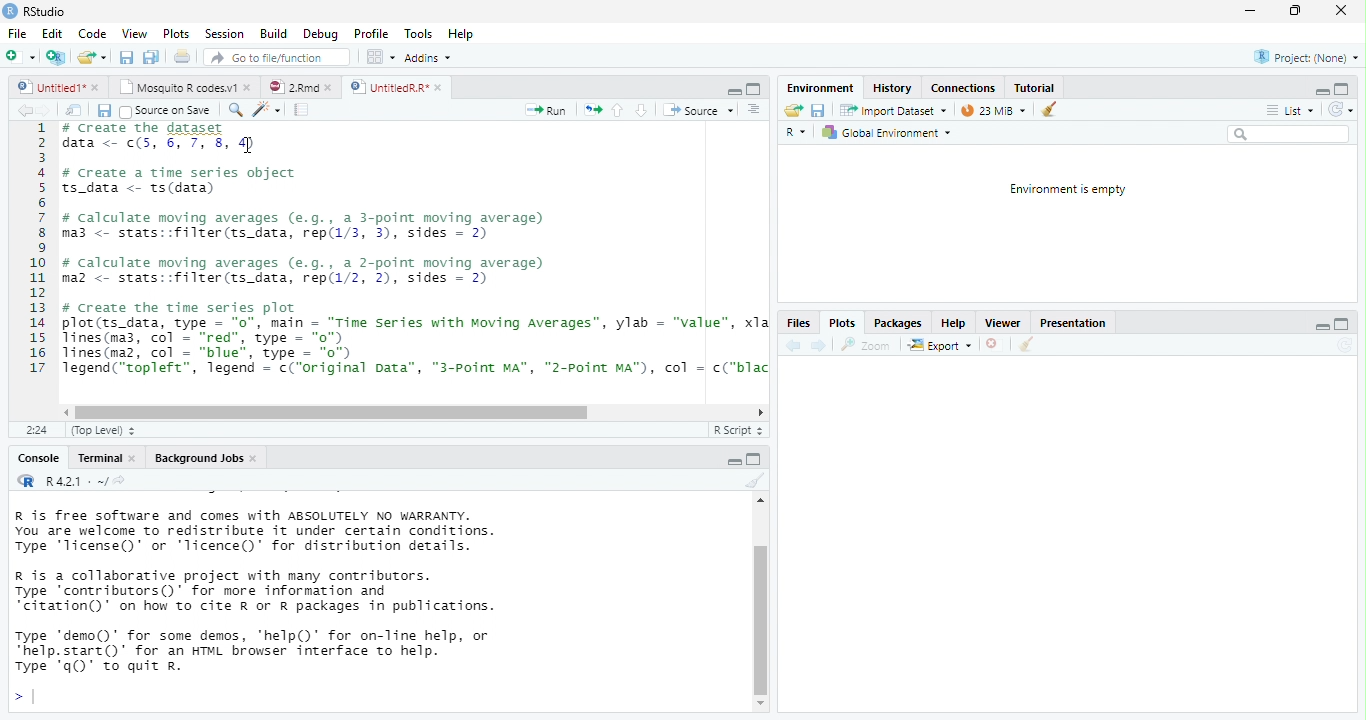  I want to click on Connections, so click(962, 88).